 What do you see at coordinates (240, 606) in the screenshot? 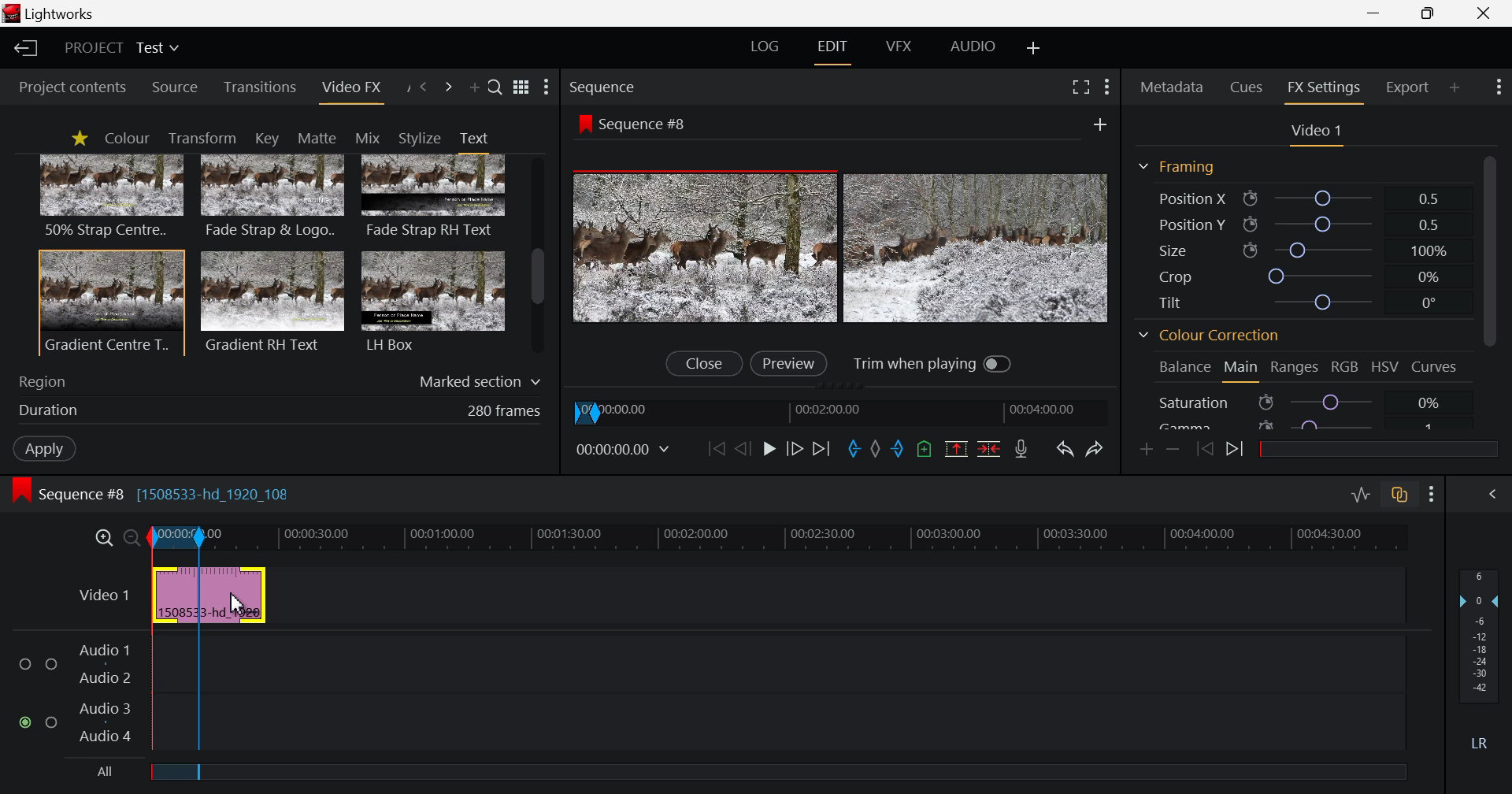
I see `cursor` at bounding box center [240, 606].